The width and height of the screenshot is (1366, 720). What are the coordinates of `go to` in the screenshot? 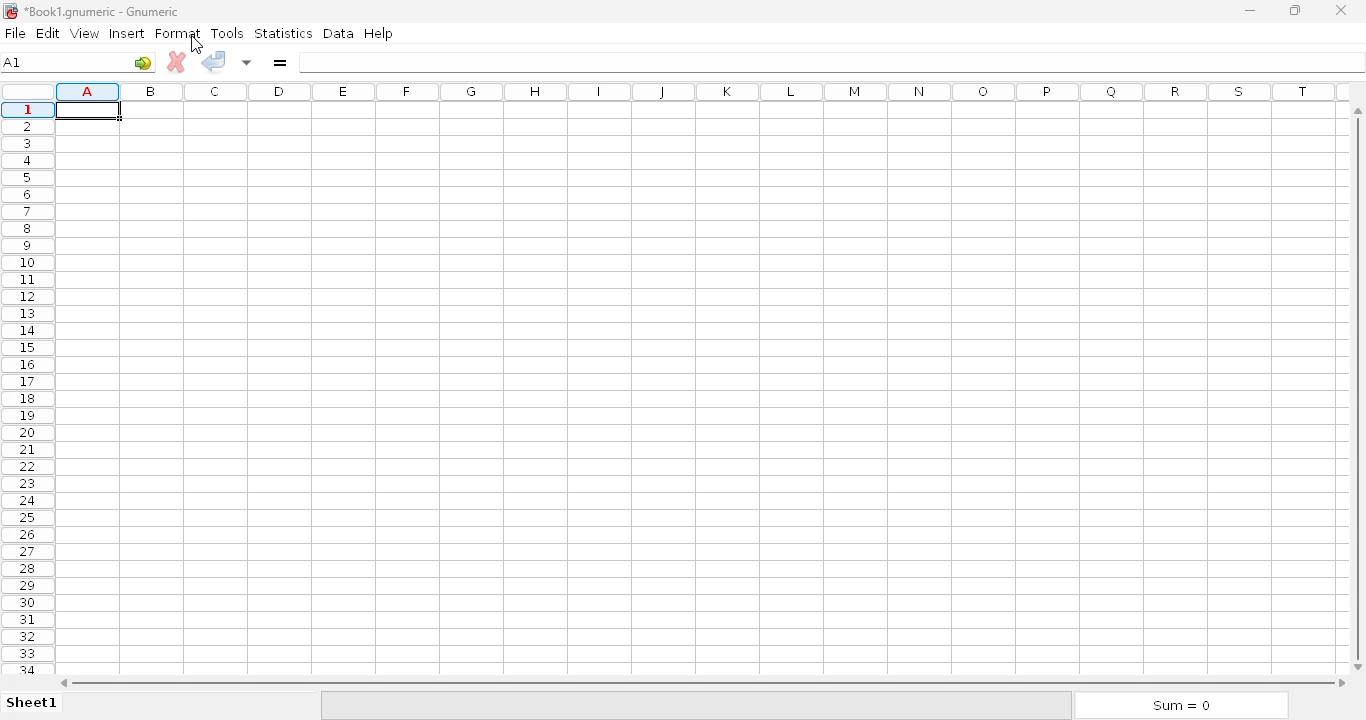 It's located at (143, 62).